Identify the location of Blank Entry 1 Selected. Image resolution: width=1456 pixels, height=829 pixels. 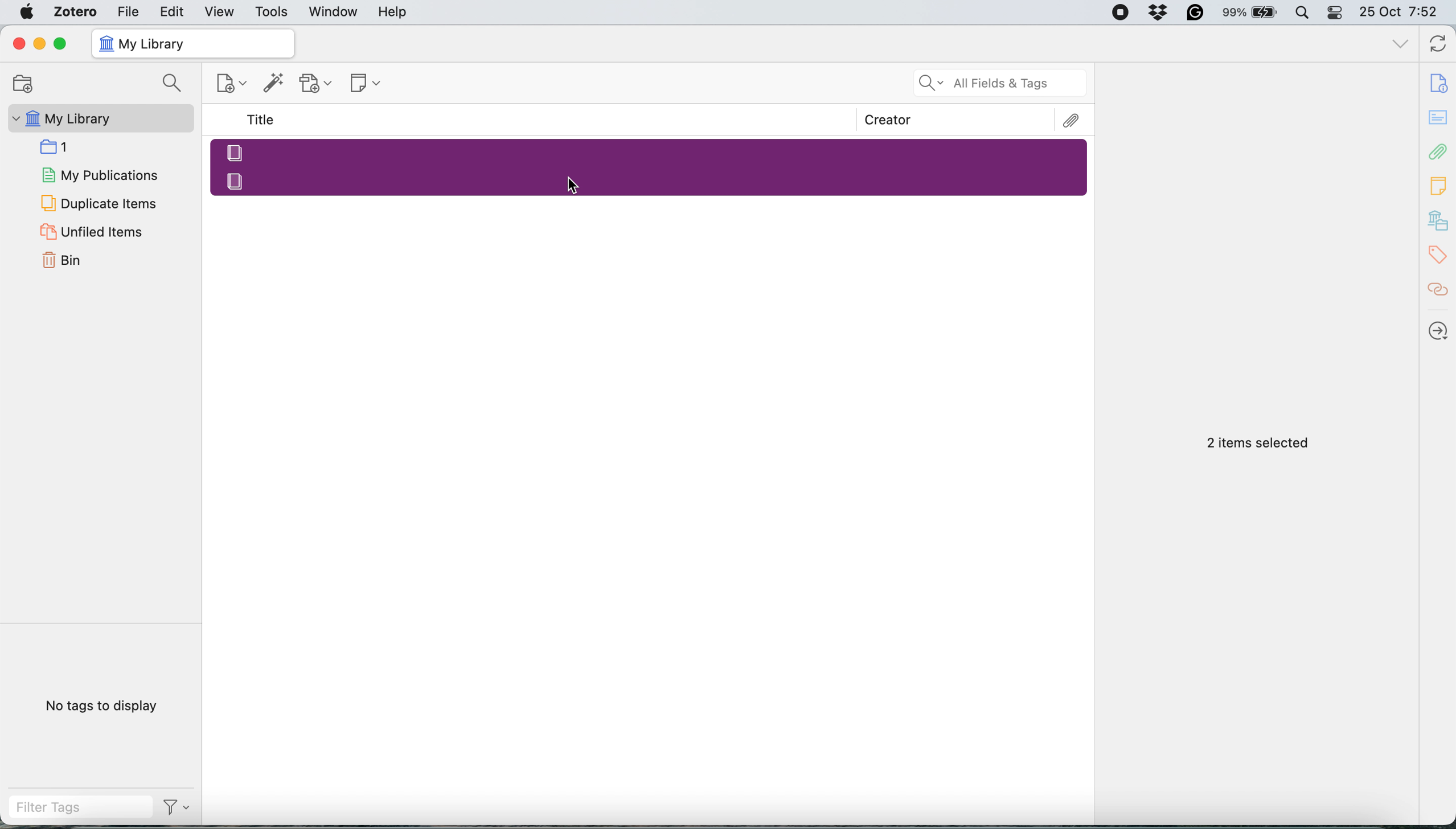
(648, 151).